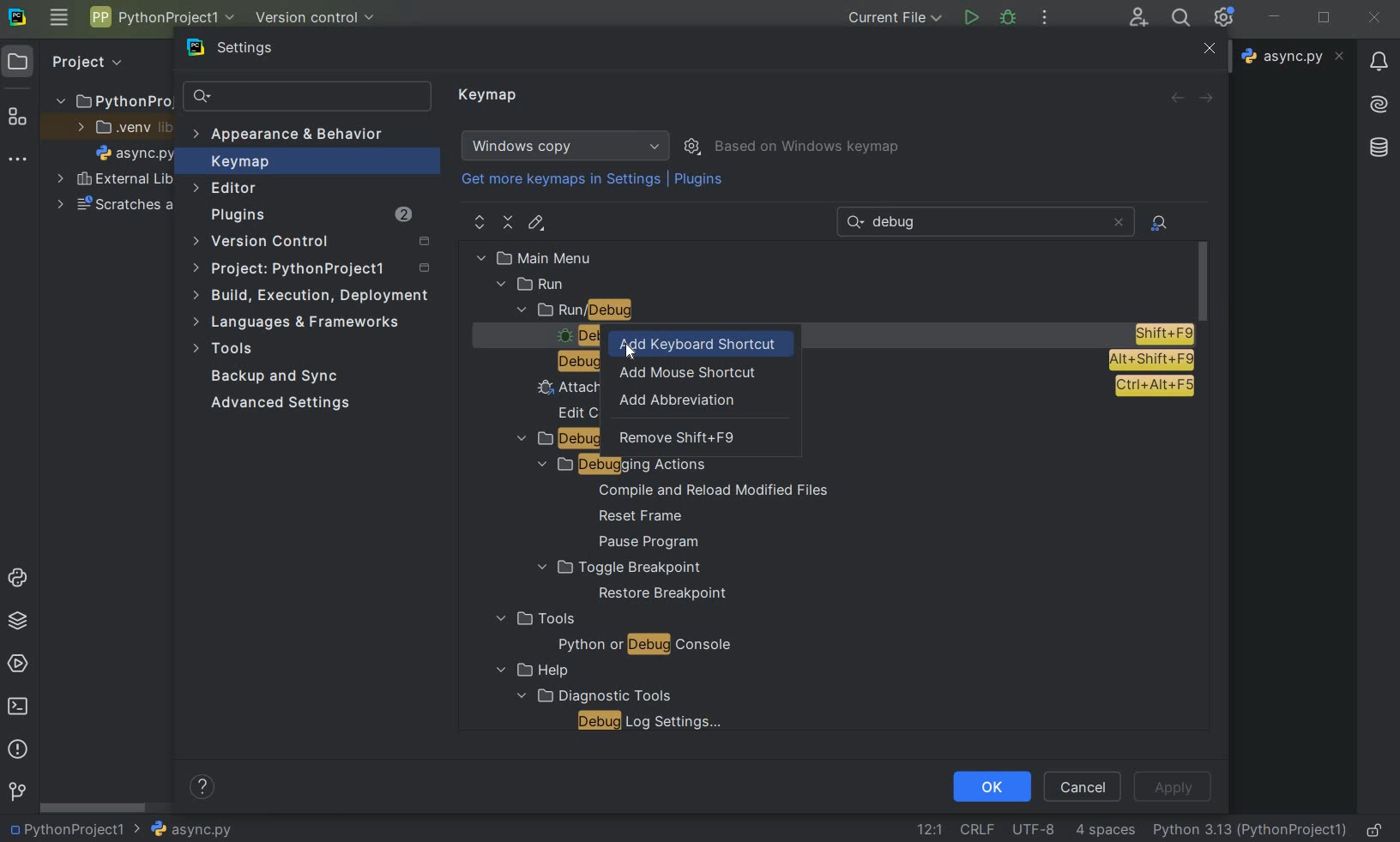 This screenshot has height=842, width=1400. Describe the element at coordinates (574, 412) in the screenshot. I see `edit configurations` at that location.